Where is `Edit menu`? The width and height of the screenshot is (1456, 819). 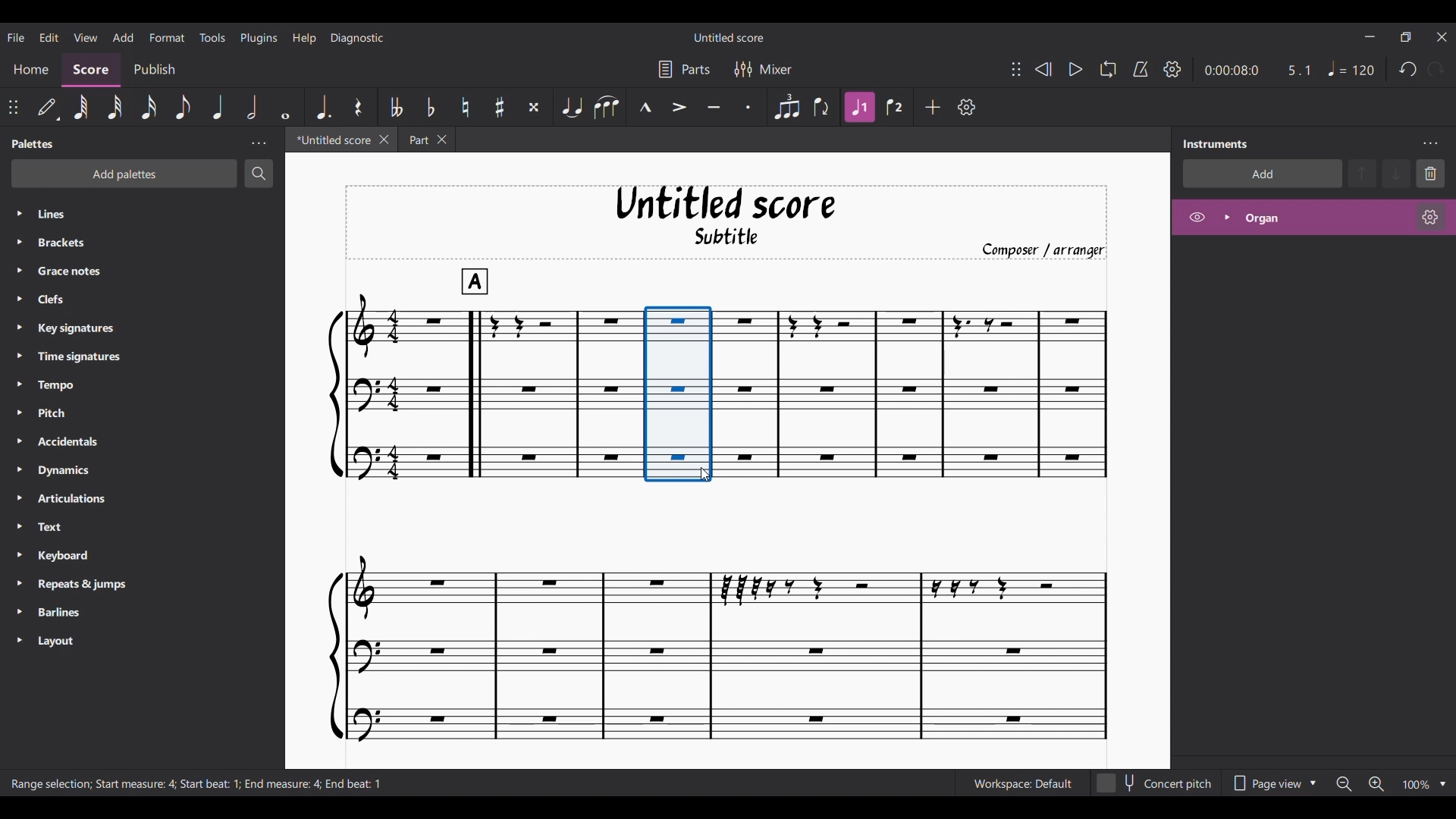
Edit menu is located at coordinates (49, 36).